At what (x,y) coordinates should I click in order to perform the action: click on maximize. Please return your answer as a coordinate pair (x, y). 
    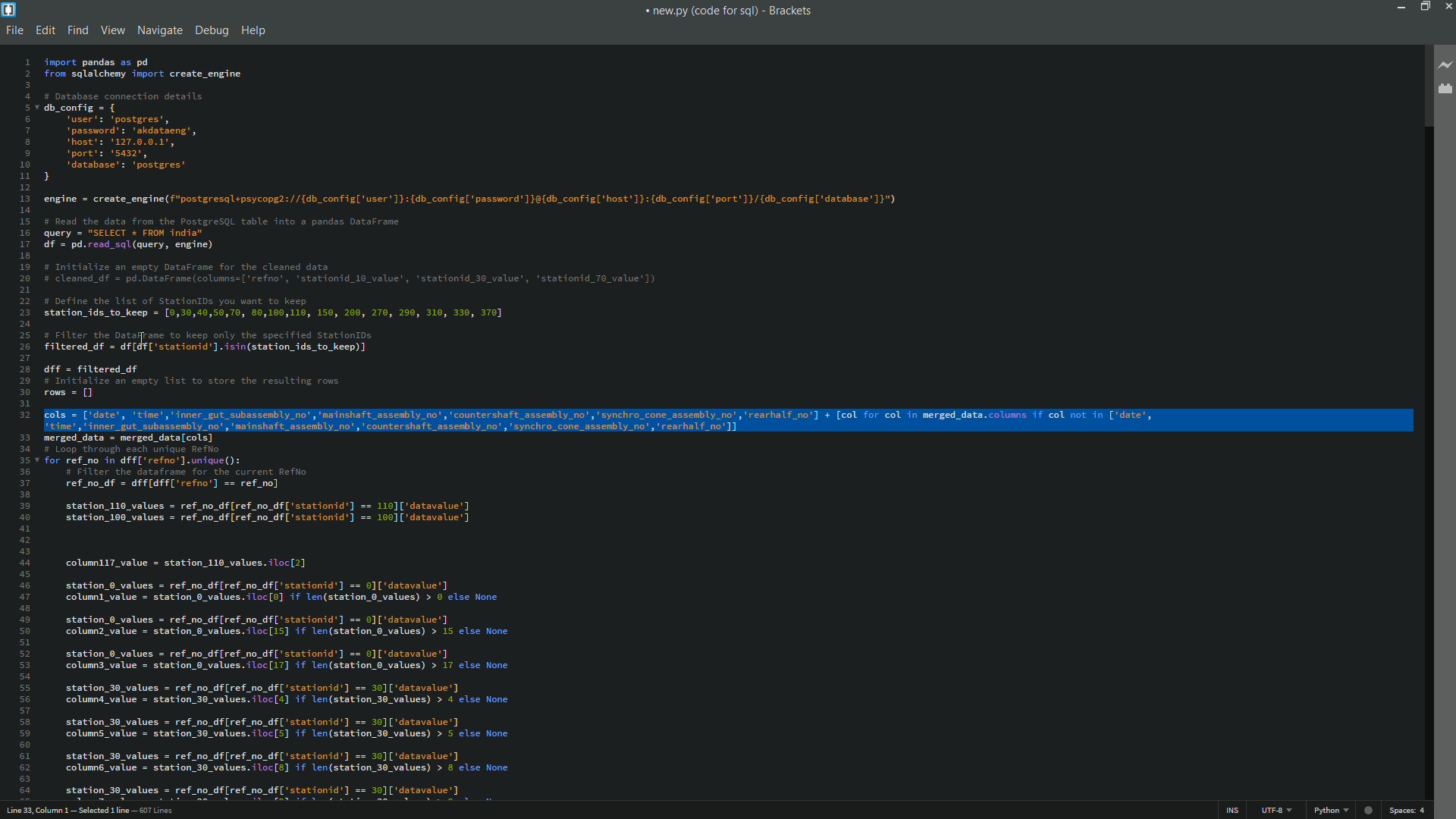
    Looking at the image, I should click on (1422, 6).